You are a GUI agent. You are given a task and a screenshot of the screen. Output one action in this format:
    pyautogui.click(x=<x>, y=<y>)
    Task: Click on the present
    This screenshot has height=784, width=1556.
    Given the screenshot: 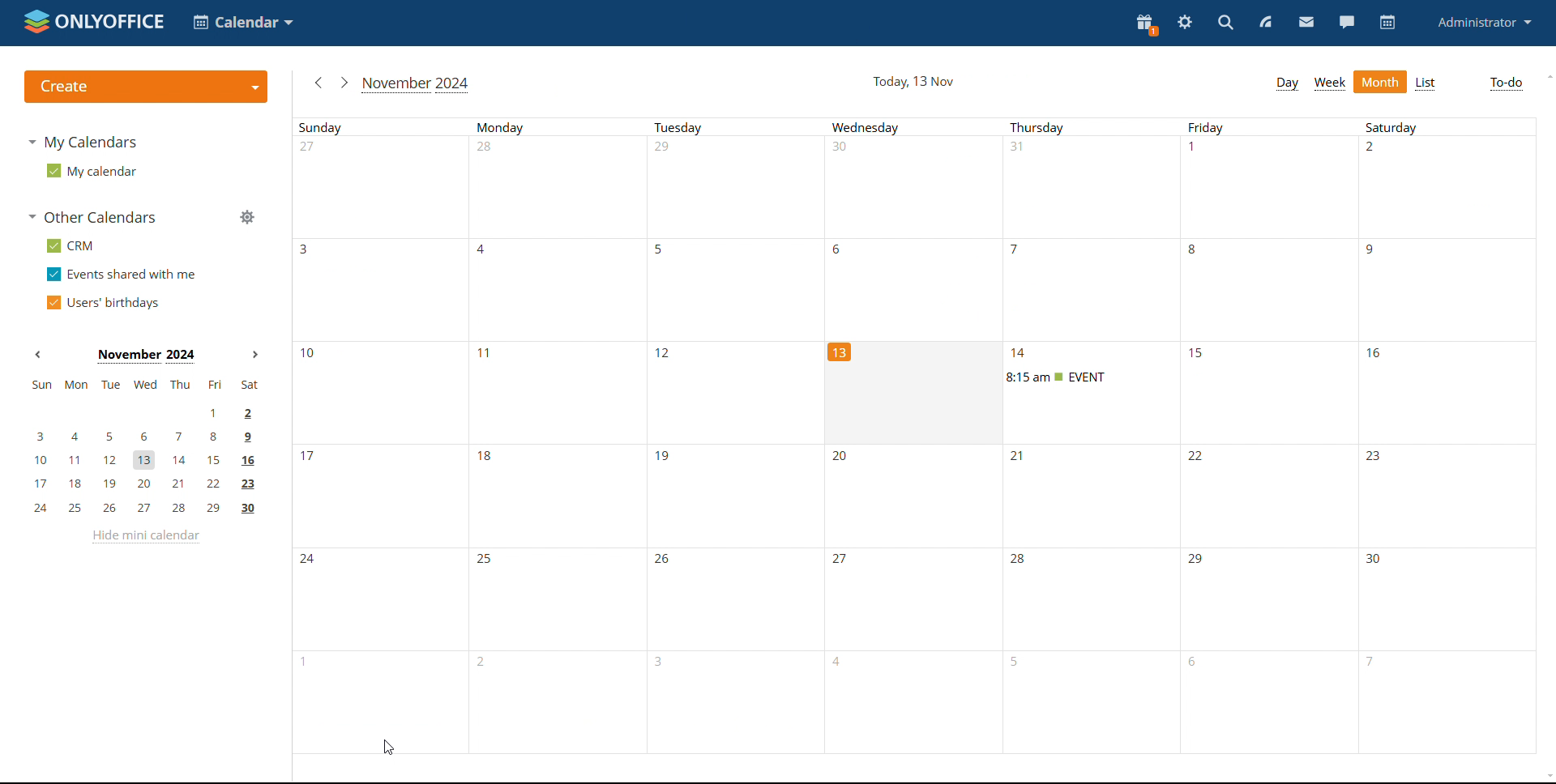 What is the action you would take?
    pyautogui.click(x=1145, y=26)
    